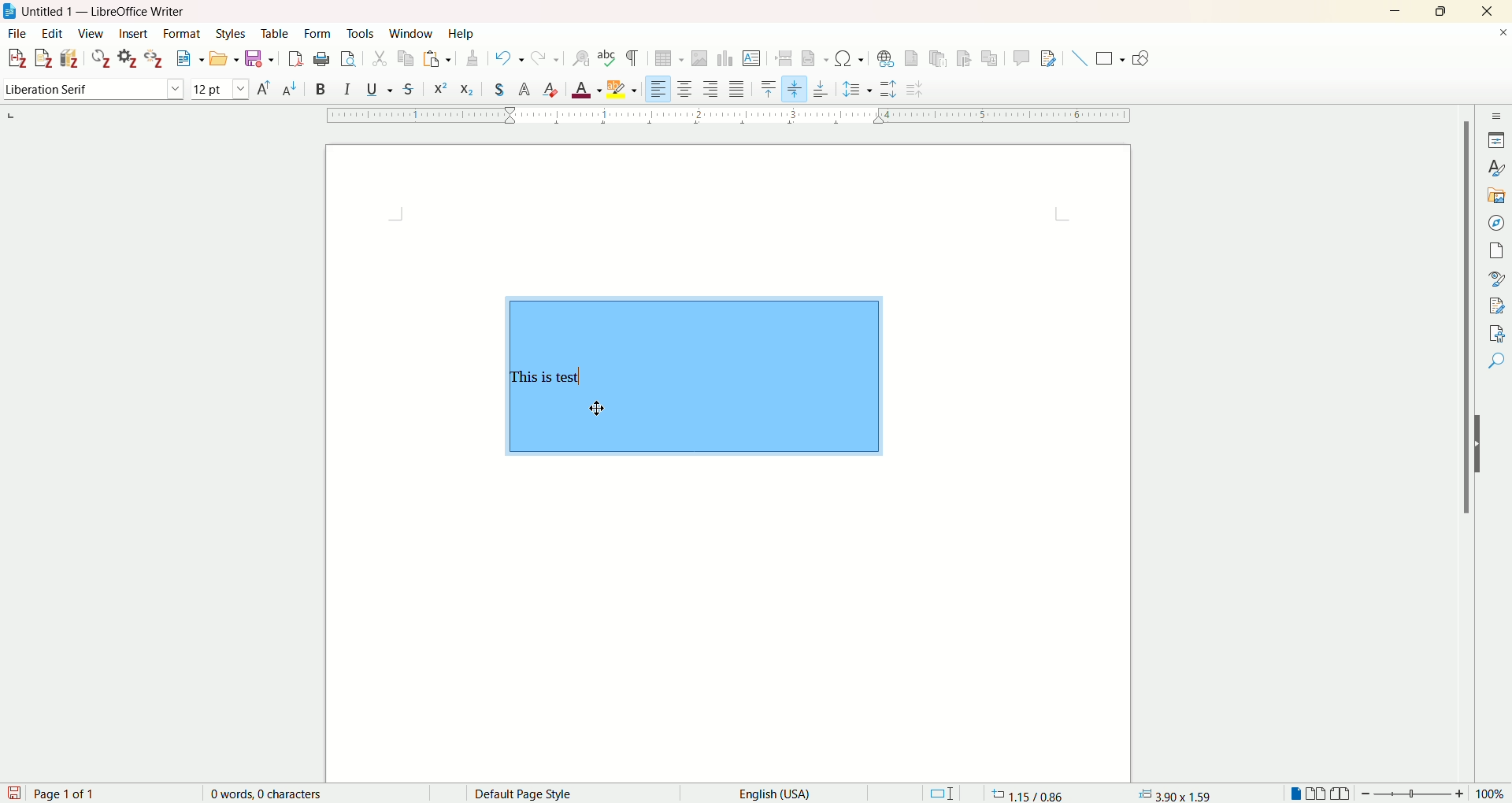 The height and width of the screenshot is (803, 1512). What do you see at coordinates (1496, 331) in the screenshot?
I see `accessibility check` at bounding box center [1496, 331].